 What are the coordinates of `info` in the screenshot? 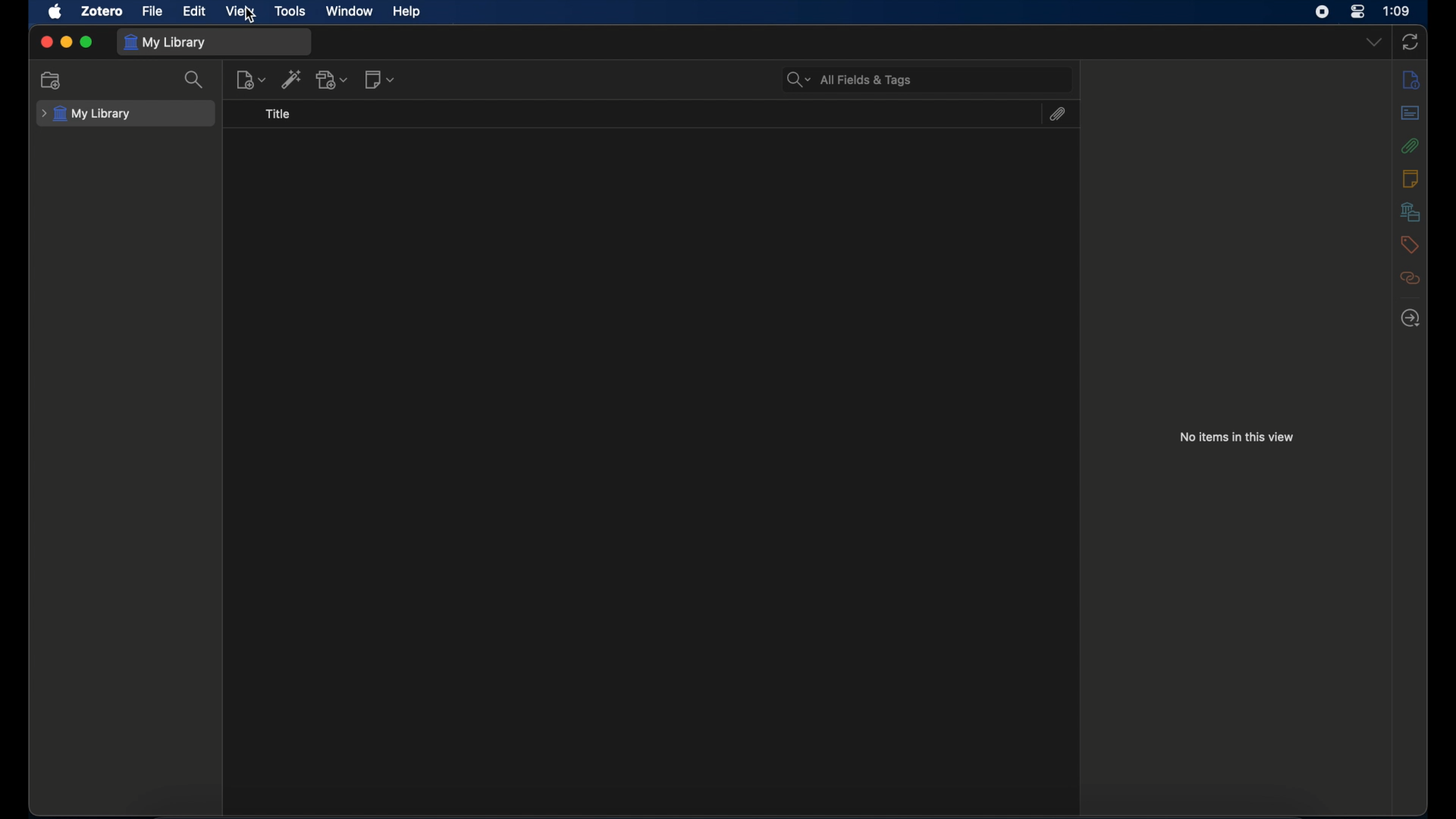 It's located at (1412, 80).